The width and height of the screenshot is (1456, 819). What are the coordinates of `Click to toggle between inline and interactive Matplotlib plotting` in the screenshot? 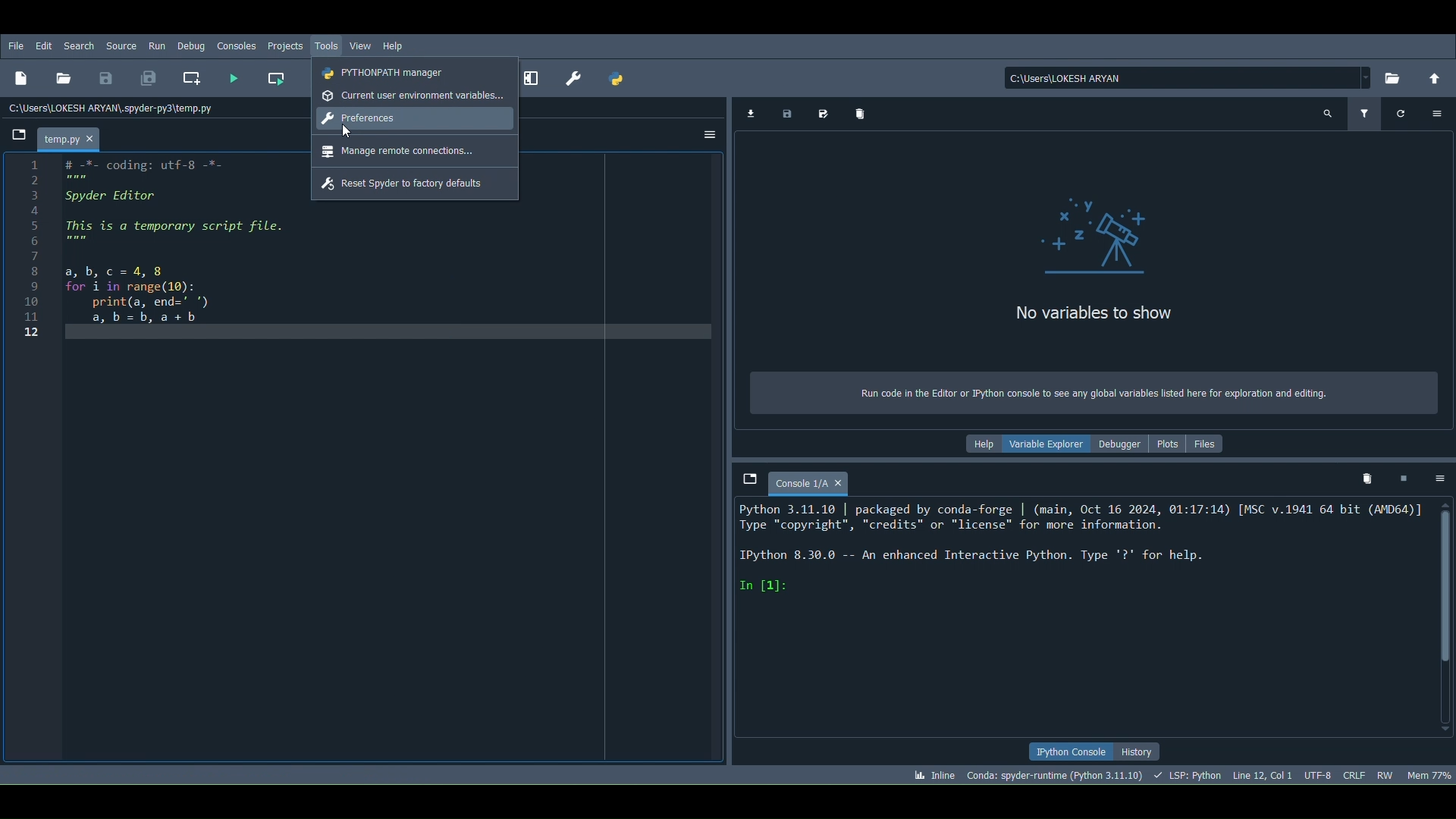 It's located at (934, 774).